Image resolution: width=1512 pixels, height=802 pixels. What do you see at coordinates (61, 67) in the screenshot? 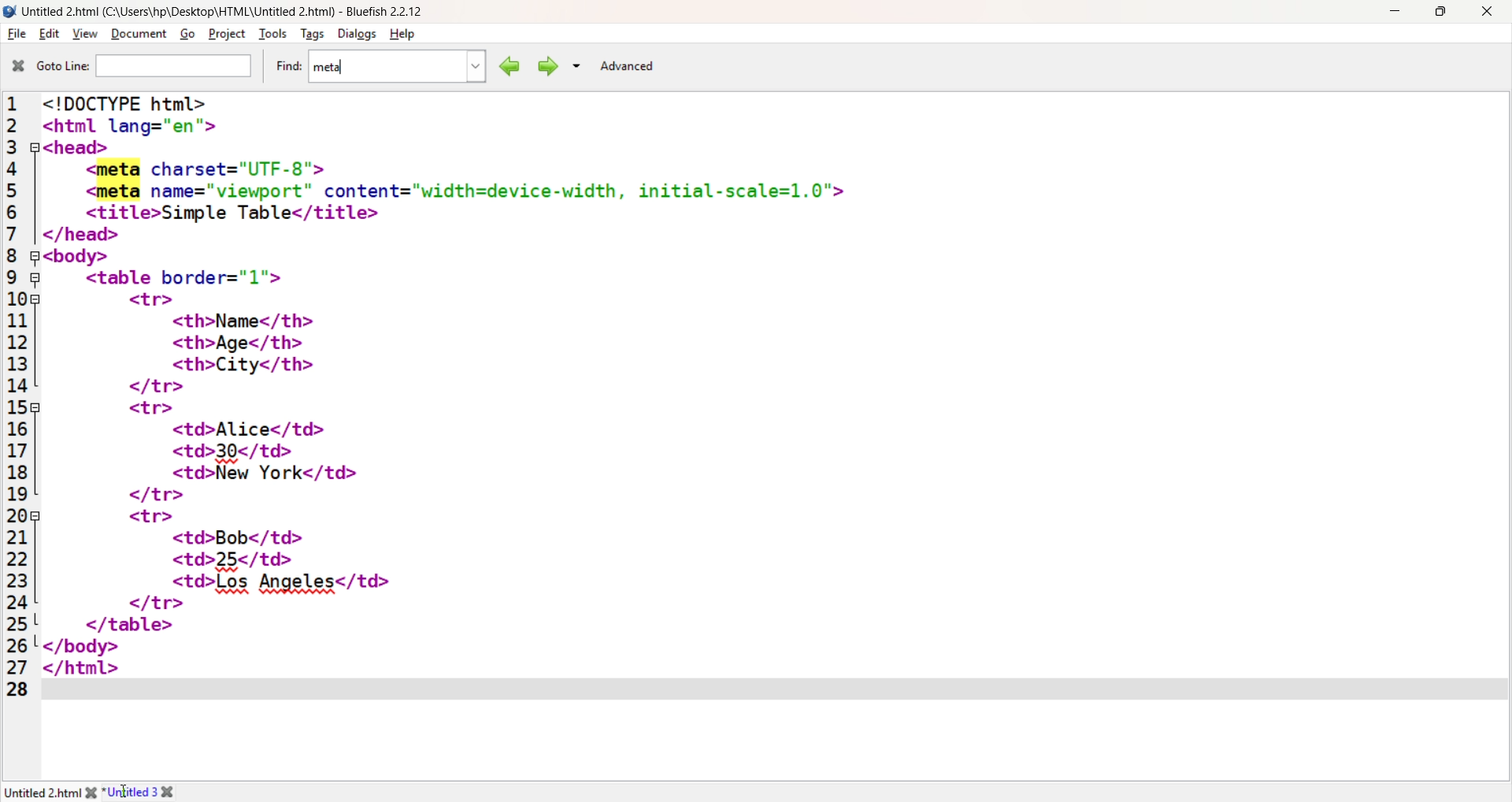
I see `Goto Line:` at bounding box center [61, 67].